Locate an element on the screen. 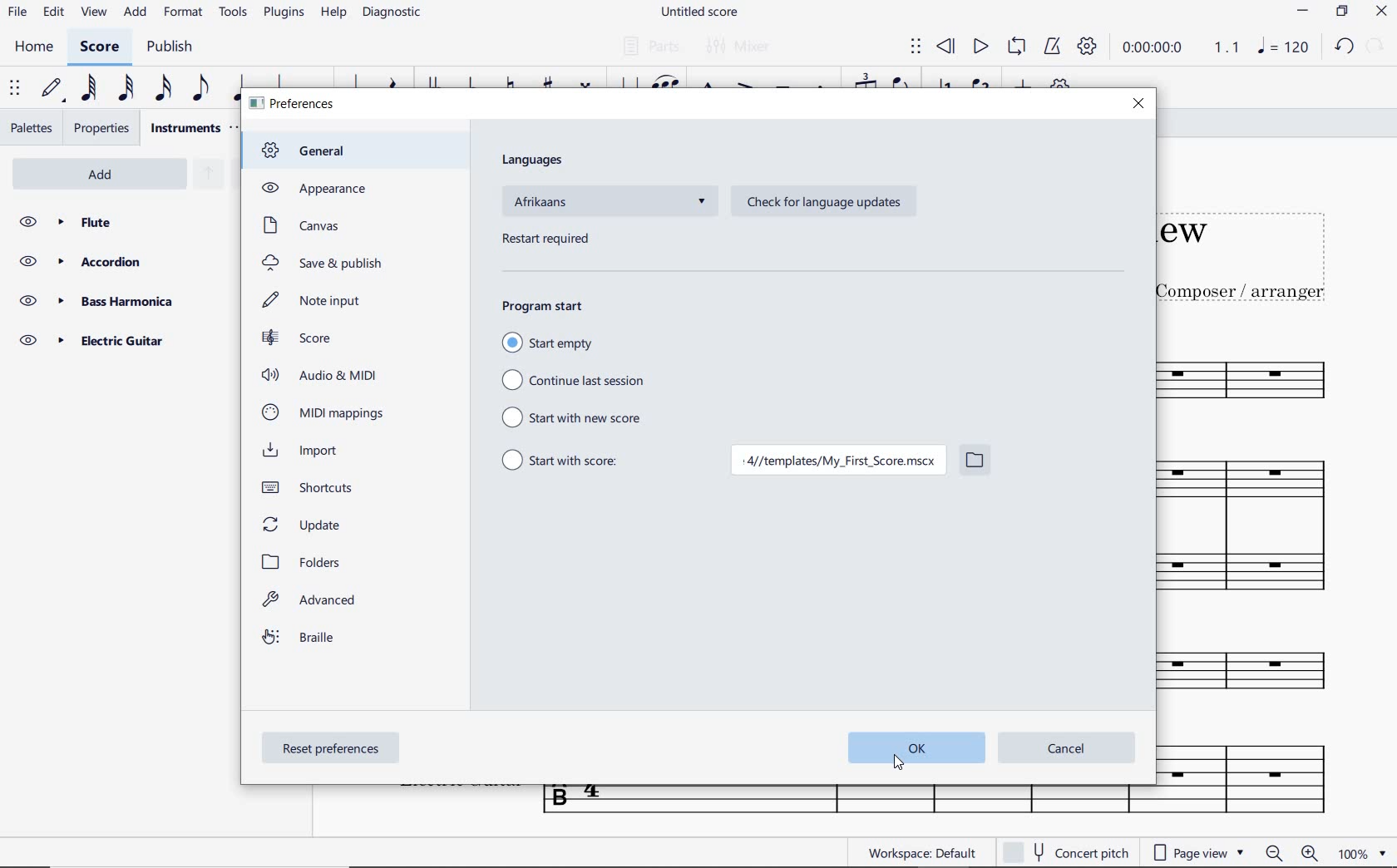 The image size is (1397, 868). plugins is located at coordinates (284, 13).